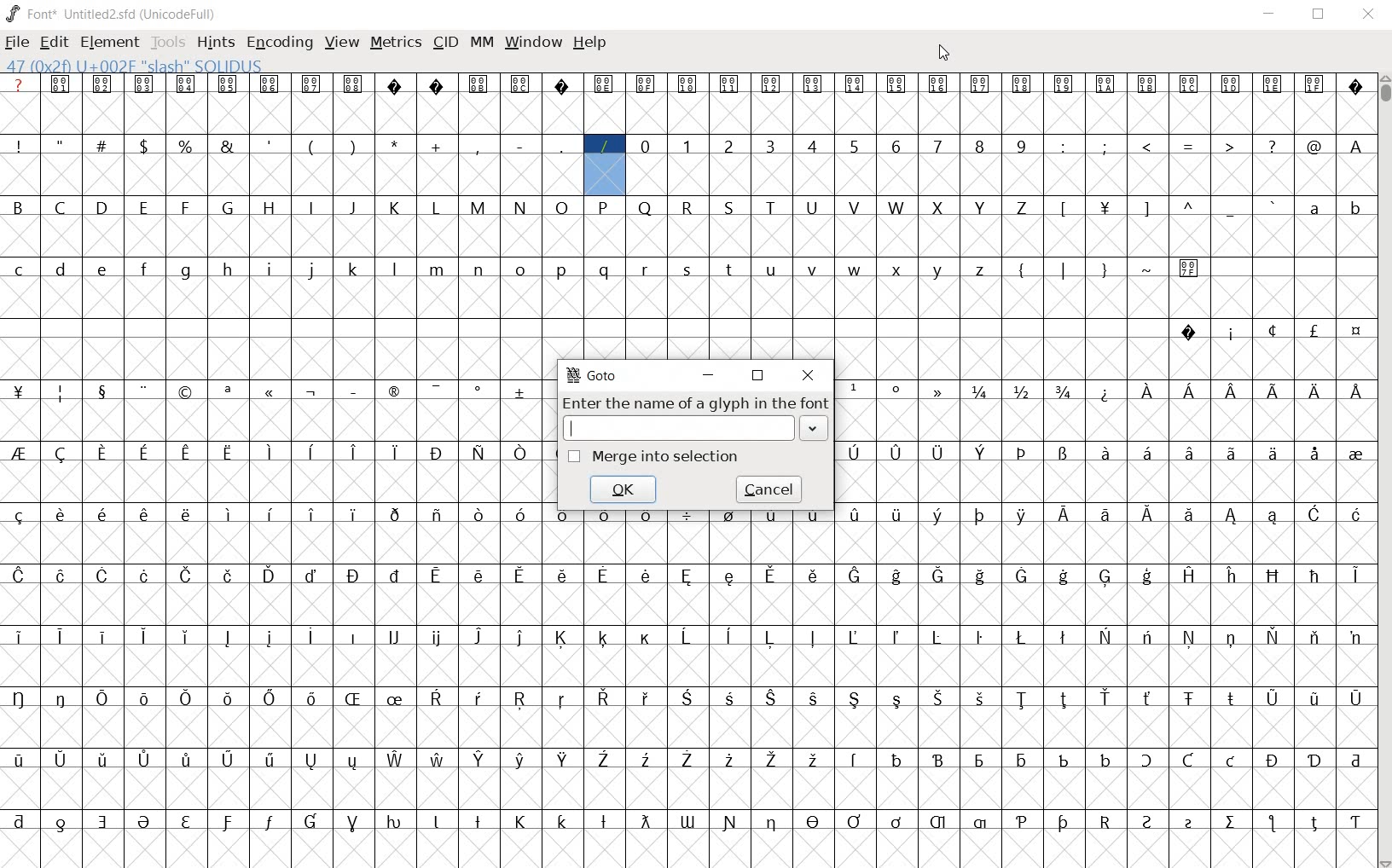  Describe the element at coordinates (61, 698) in the screenshot. I see `glyph` at that location.